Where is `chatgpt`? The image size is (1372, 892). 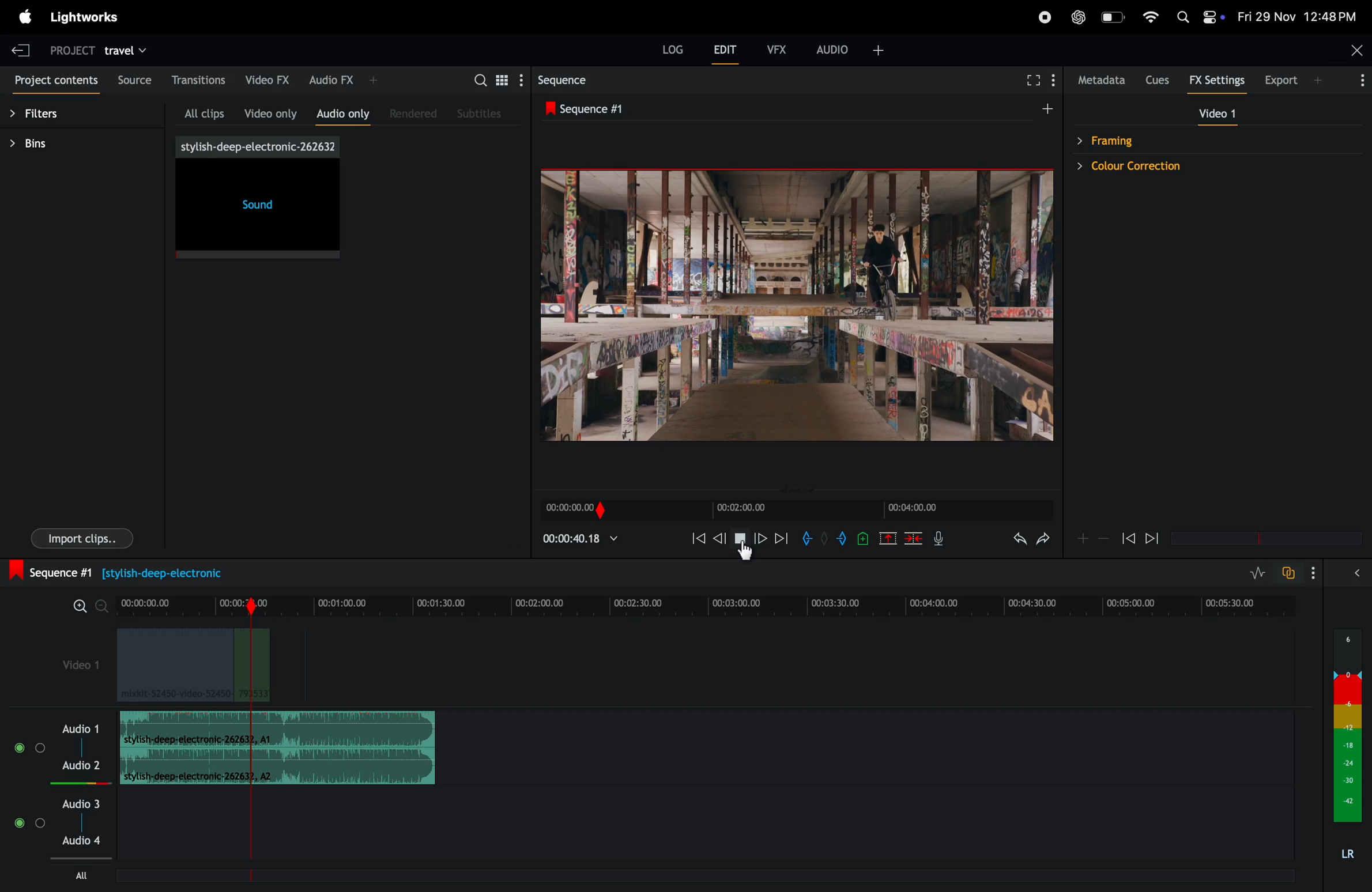
chatgpt is located at coordinates (1076, 18).